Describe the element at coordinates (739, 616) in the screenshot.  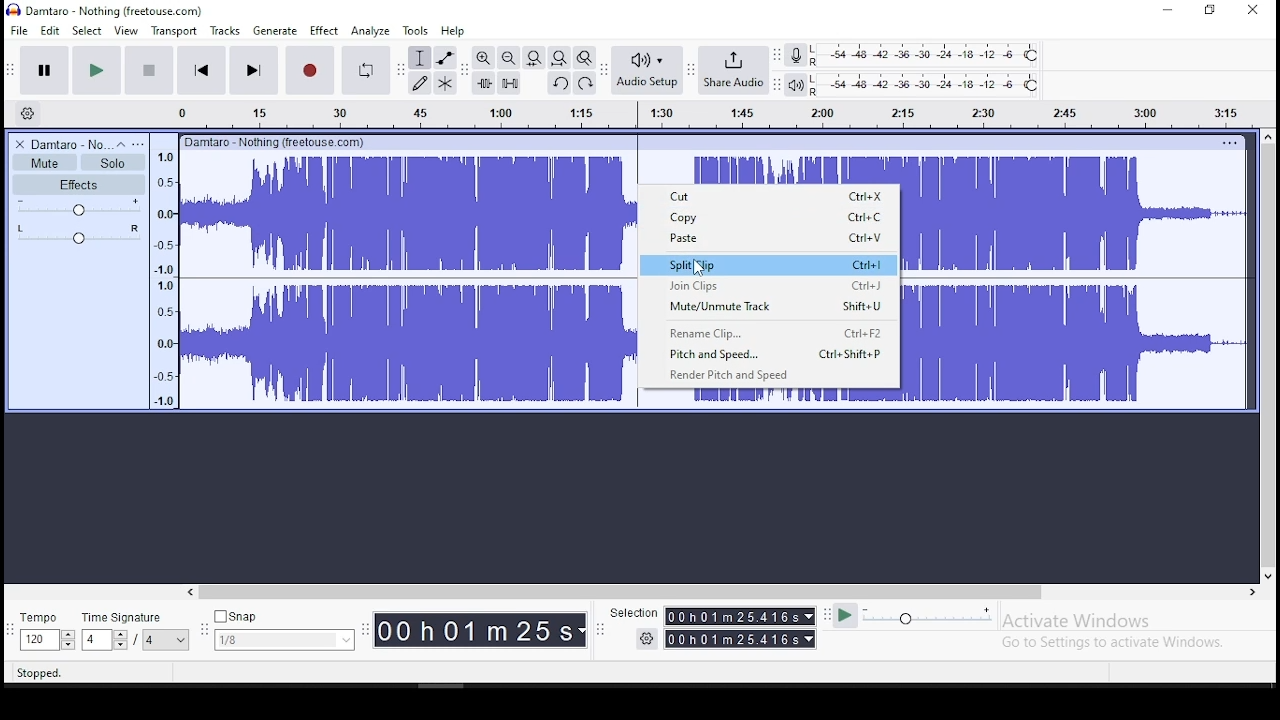
I see `time menu` at that location.